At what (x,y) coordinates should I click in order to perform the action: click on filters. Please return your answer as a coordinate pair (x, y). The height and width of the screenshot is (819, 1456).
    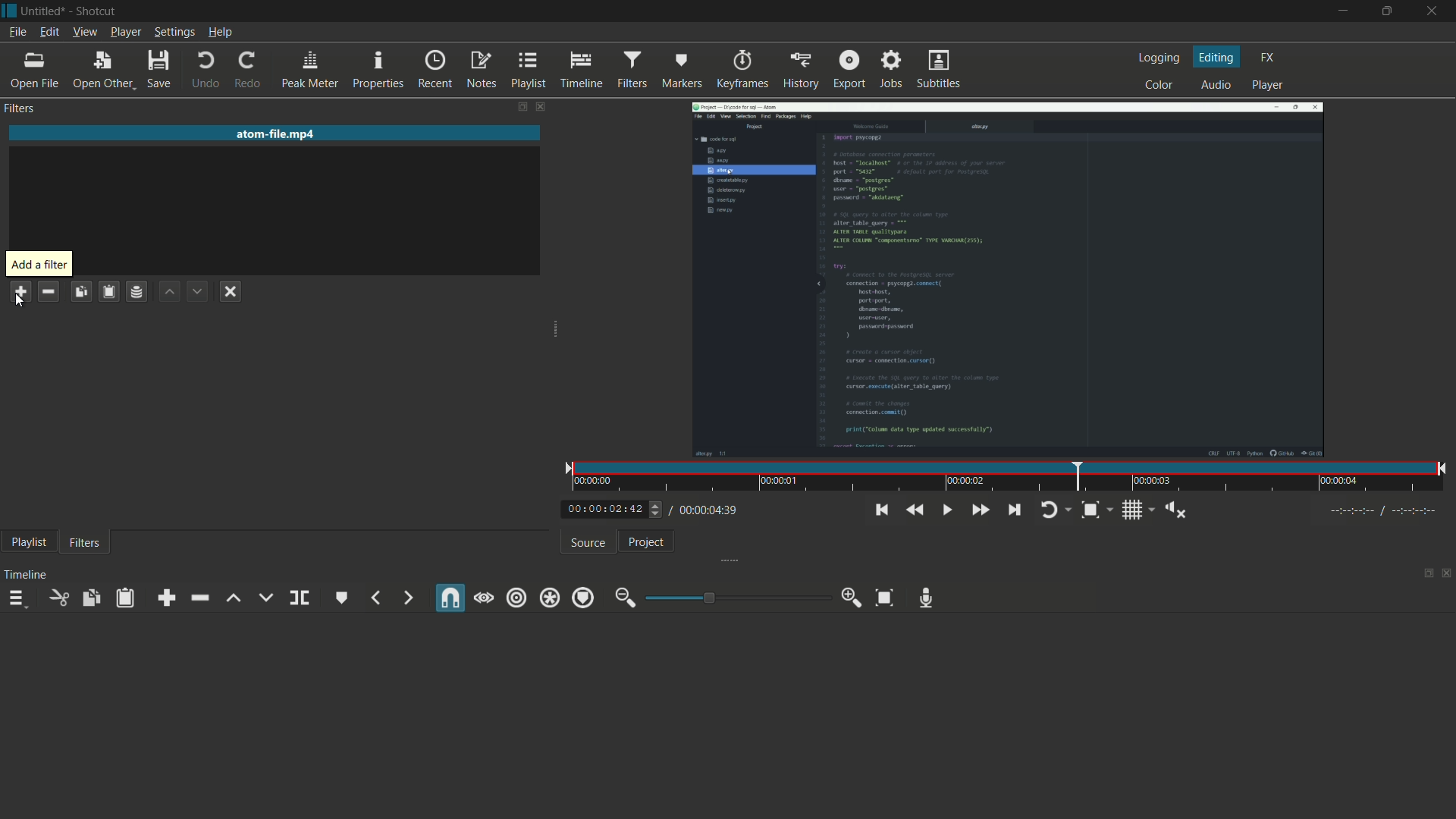
    Looking at the image, I should click on (19, 108).